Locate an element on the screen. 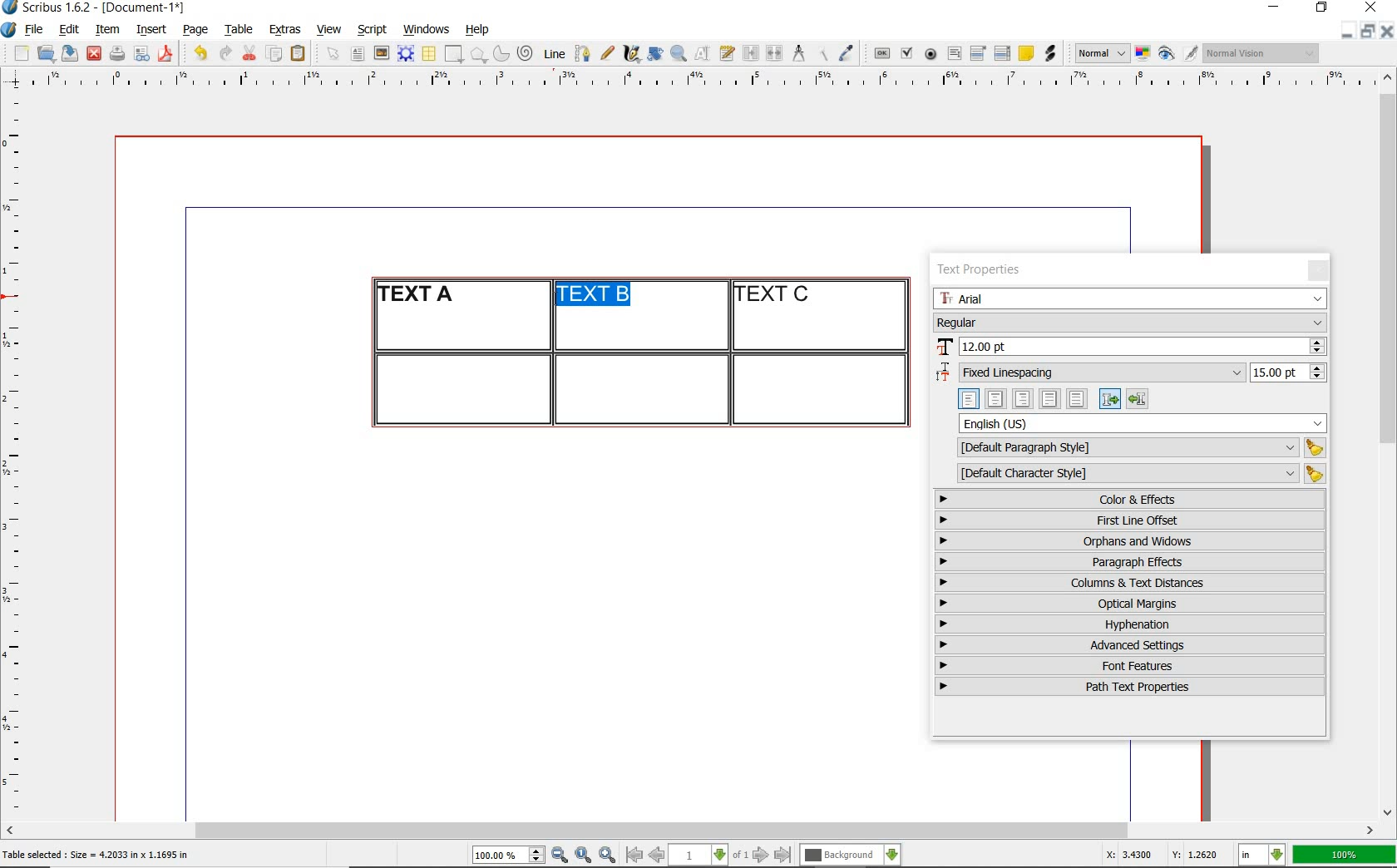 This screenshot has height=868, width=1397. table is located at coordinates (239, 30).